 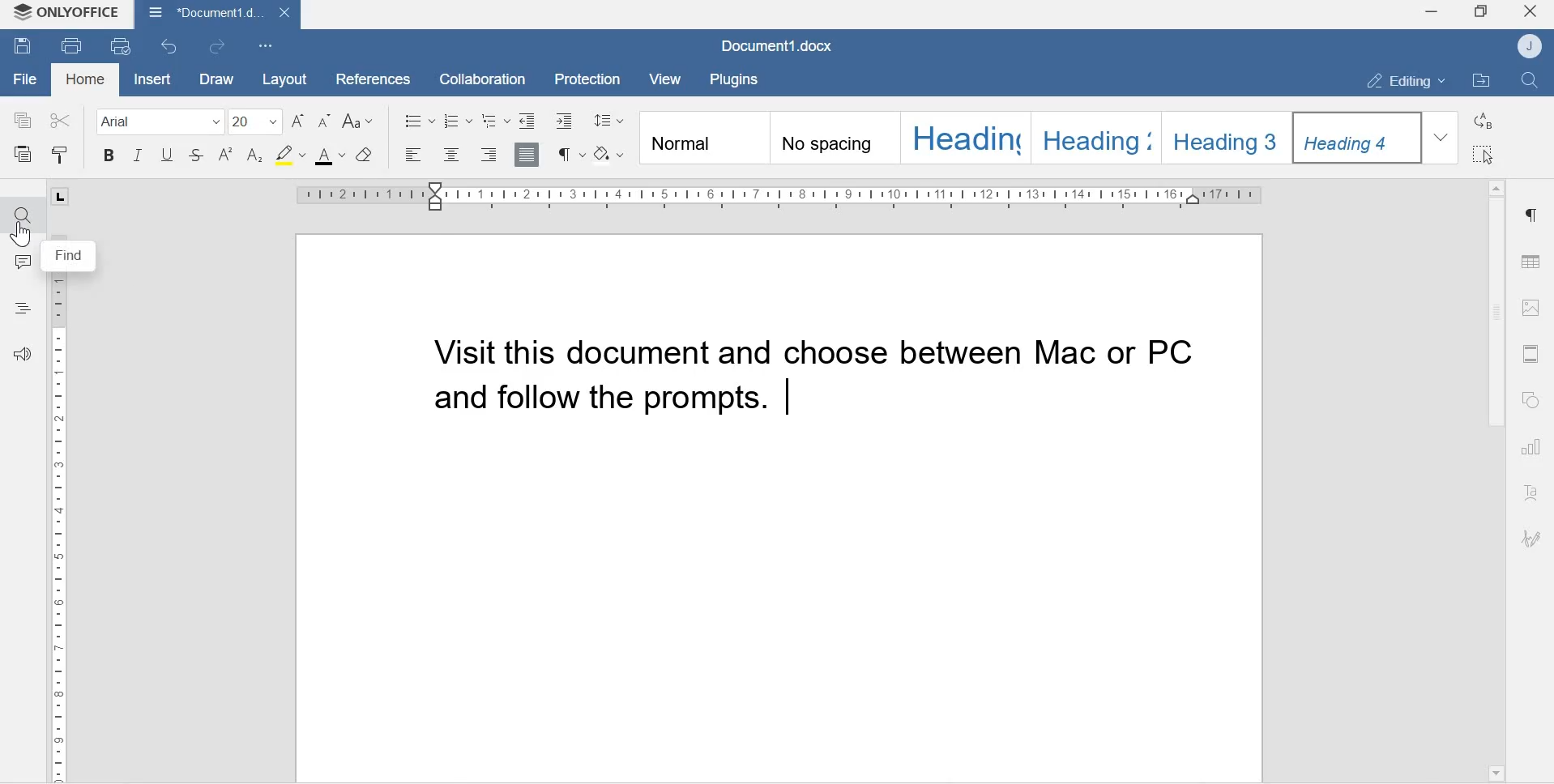 I want to click on Heading 4, so click(x=1359, y=138).